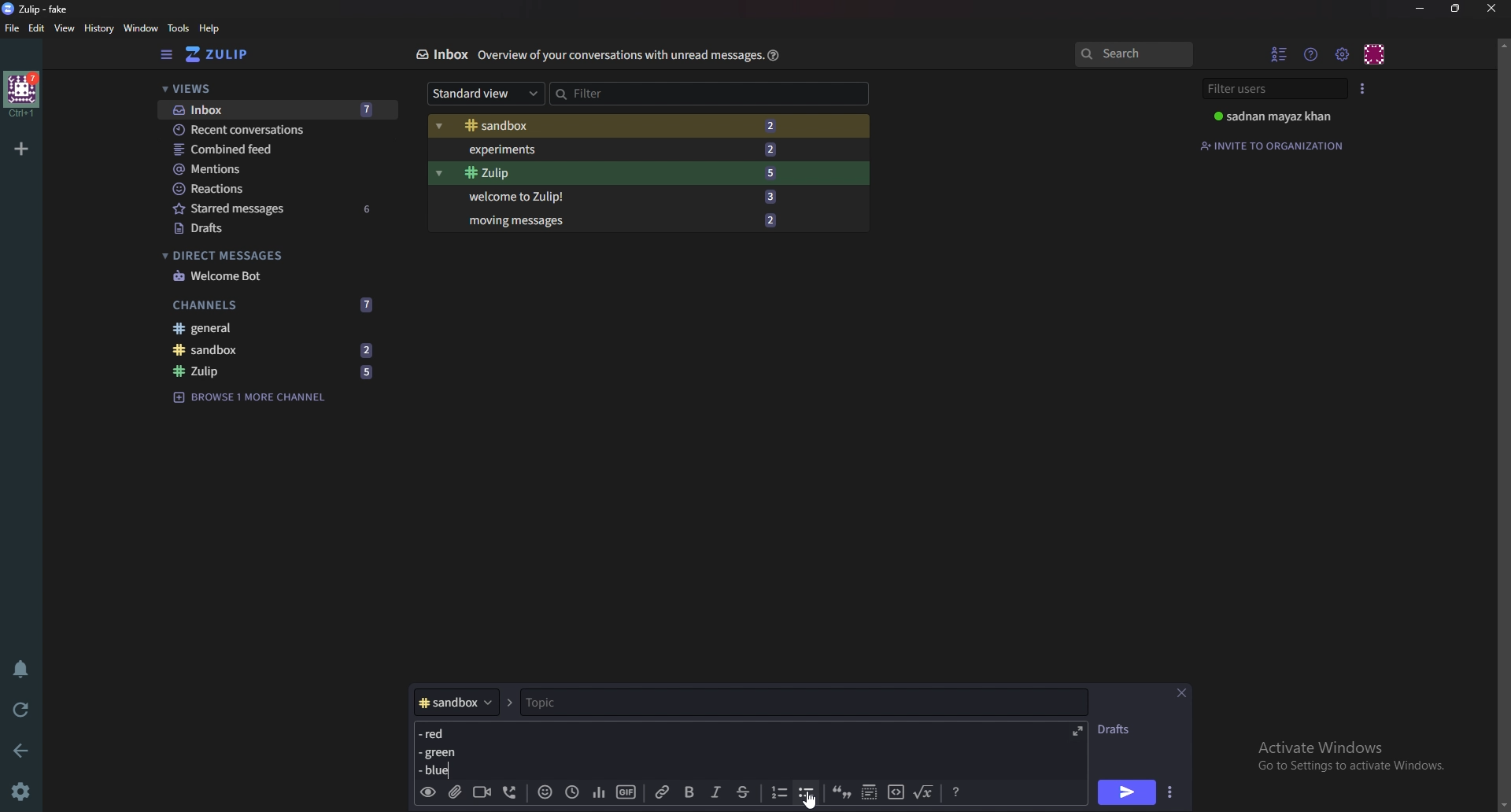  What do you see at coordinates (618, 173) in the screenshot?
I see `Zulip` at bounding box center [618, 173].